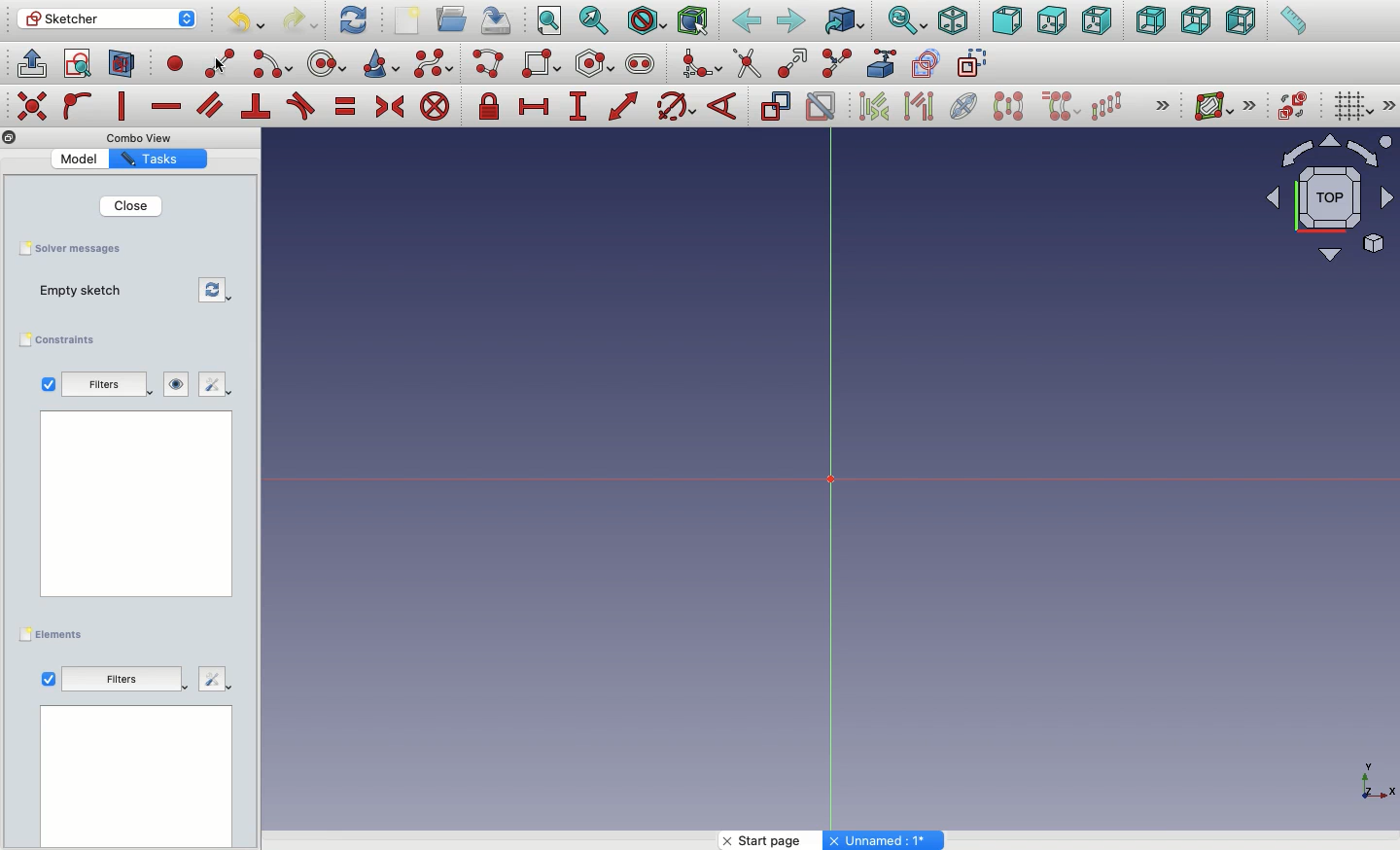 This screenshot has width=1400, height=850. Describe the element at coordinates (177, 66) in the screenshot. I see `point` at that location.